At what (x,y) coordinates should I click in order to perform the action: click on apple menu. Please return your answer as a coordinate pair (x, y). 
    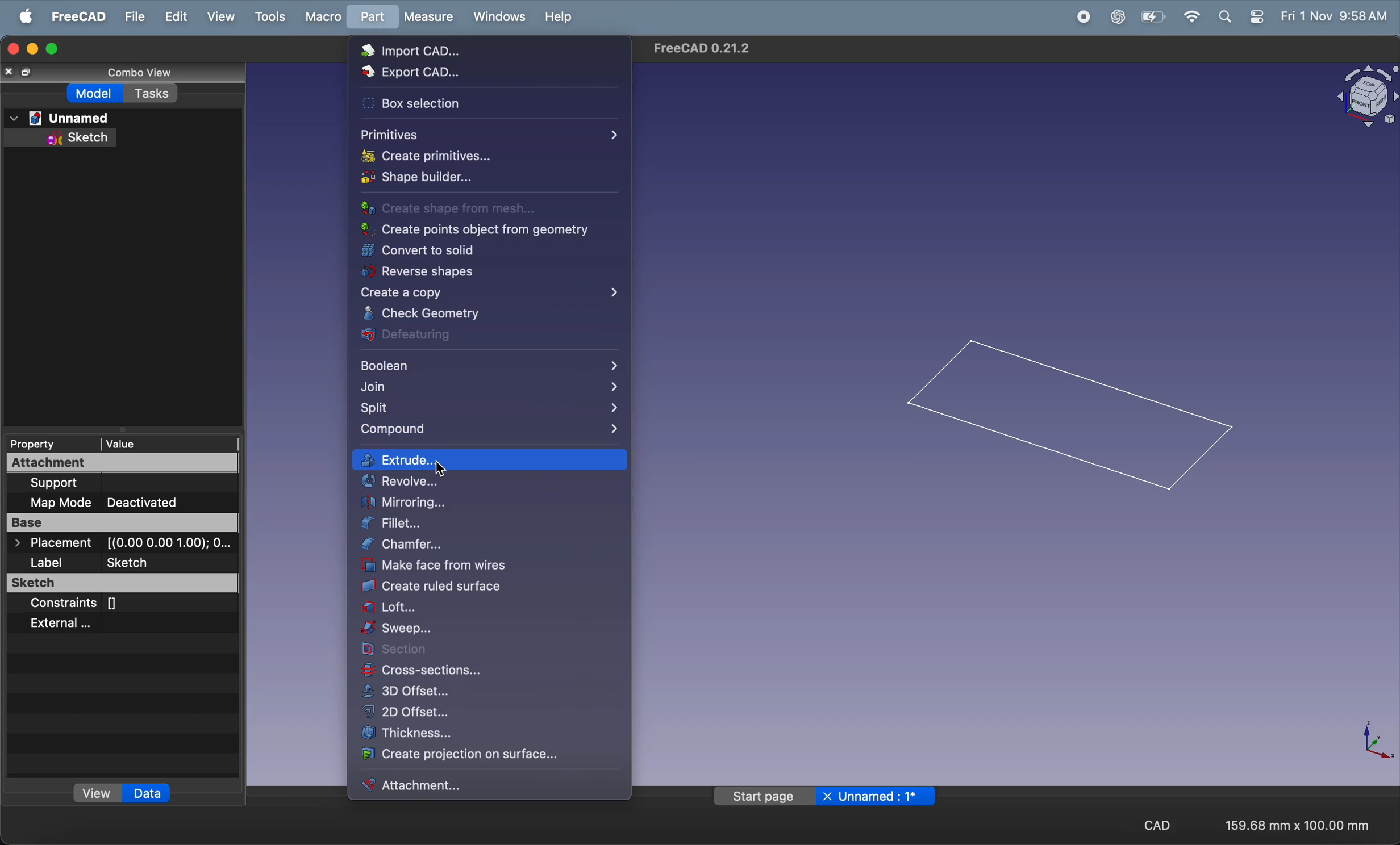
    Looking at the image, I should click on (22, 15).